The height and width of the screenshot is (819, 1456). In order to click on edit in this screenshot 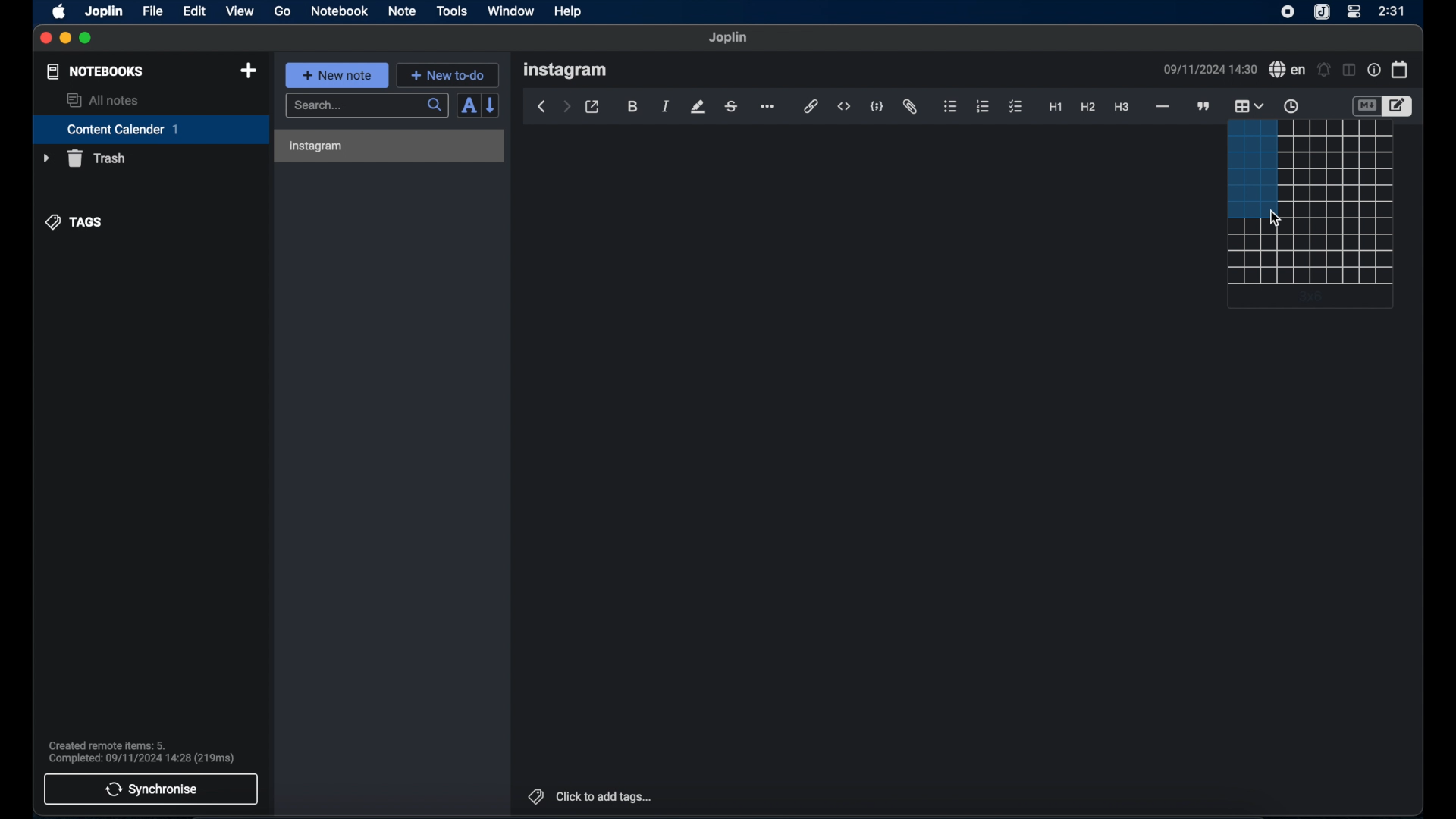, I will do `click(196, 12)`.